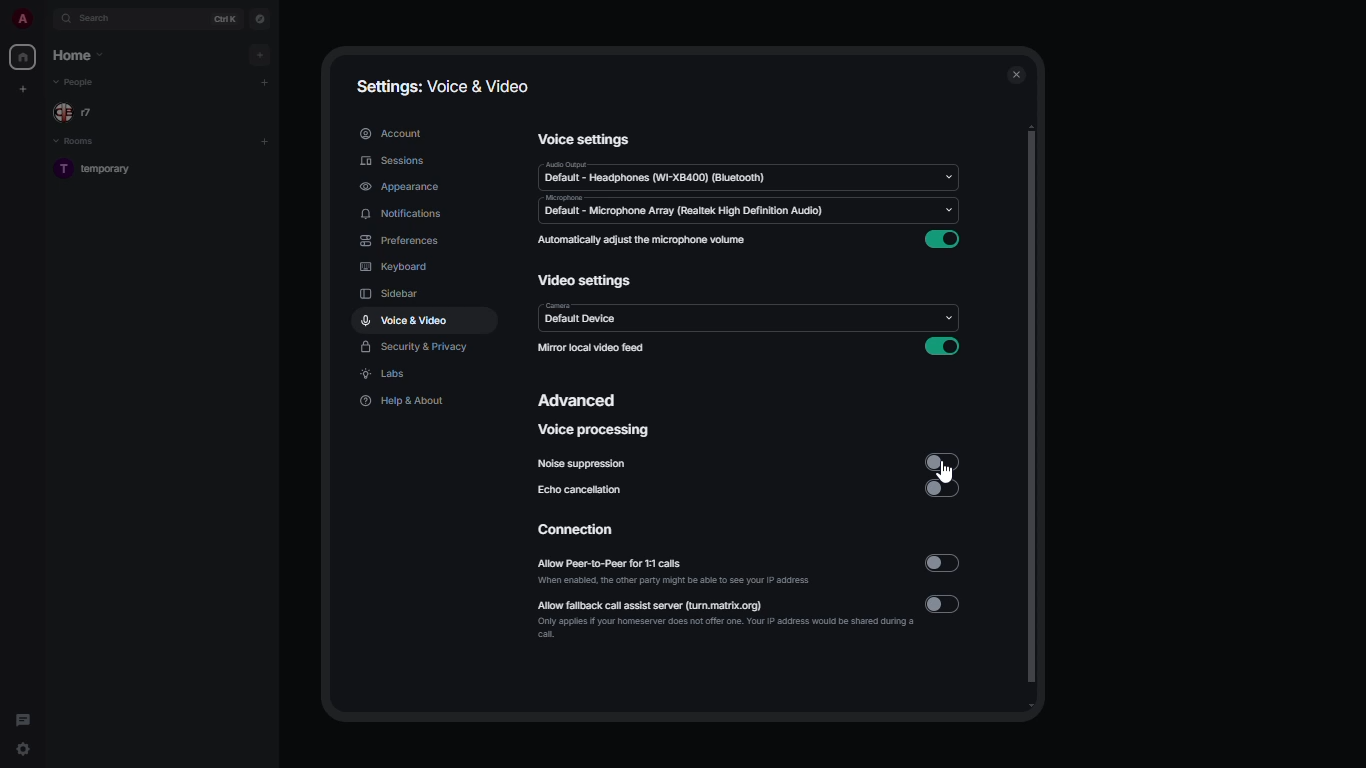 This screenshot has width=1366, height=768. I want to click on allow peer-to-peer for 1:1 calls, so click(677, 572).